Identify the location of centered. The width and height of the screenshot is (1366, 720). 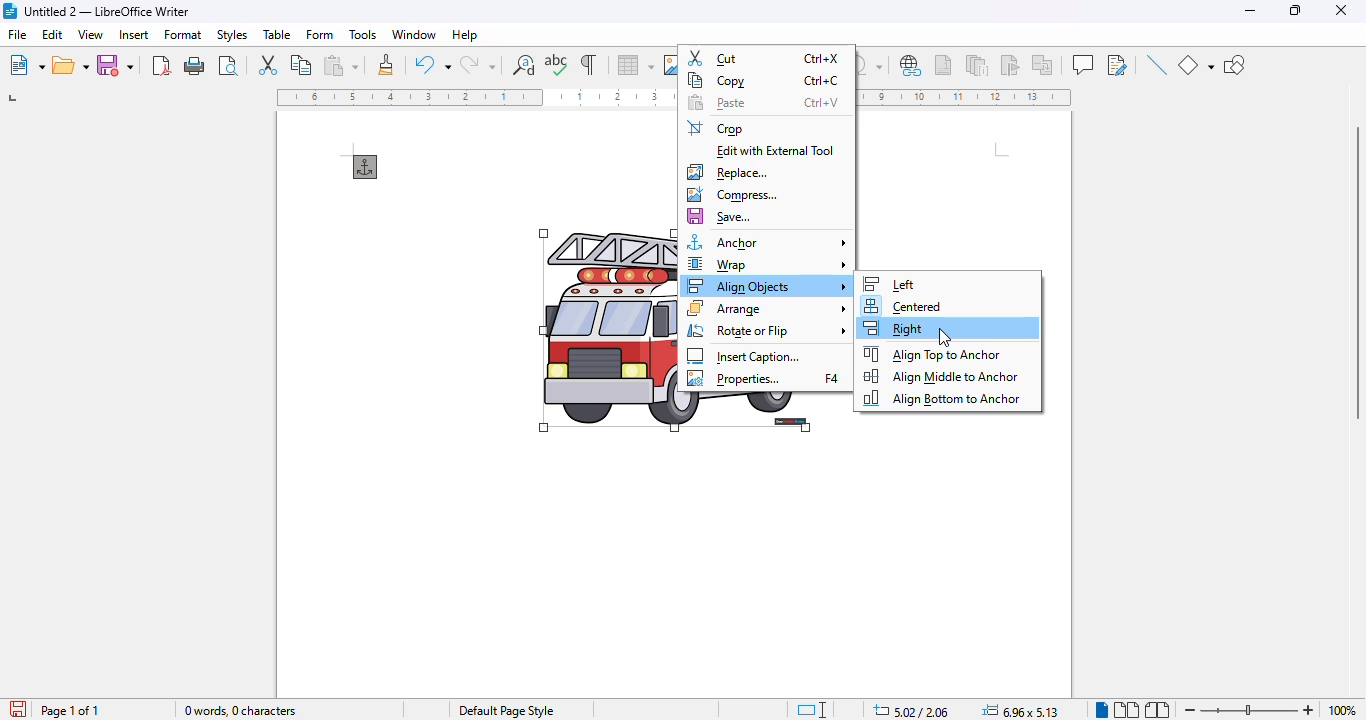
(902, 307).